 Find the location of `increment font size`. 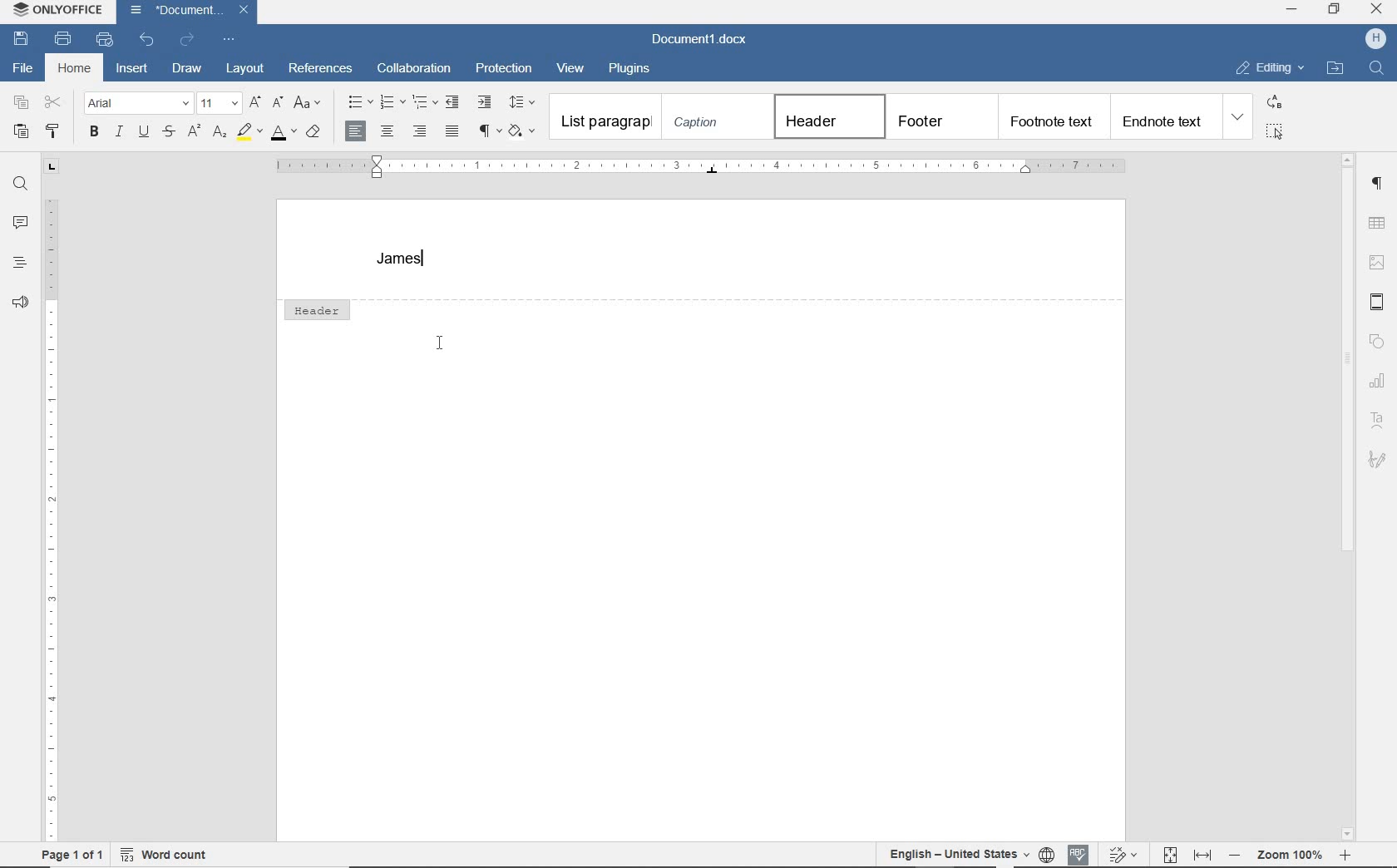

increment font size is located at coordinates (257, 103).